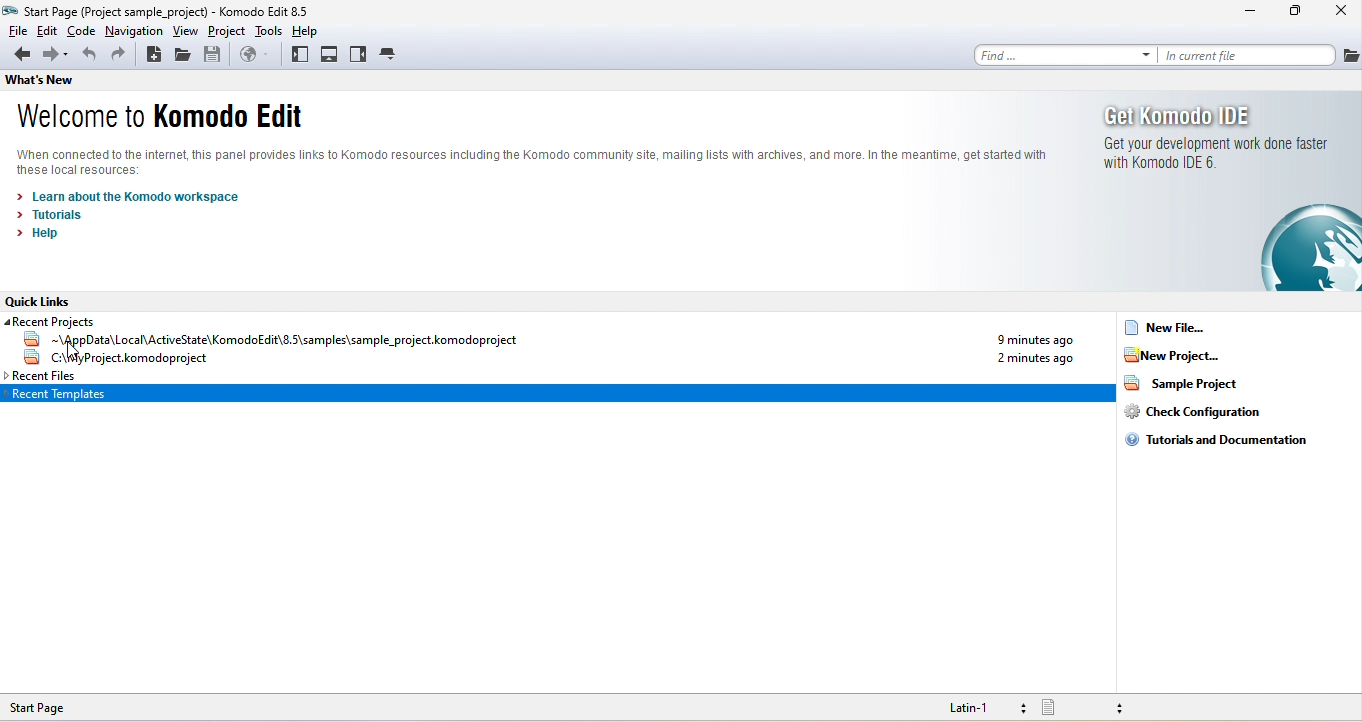 The width and height of the screenshot is (1362, 722). I want to click on recent projects, so click(51, 321).